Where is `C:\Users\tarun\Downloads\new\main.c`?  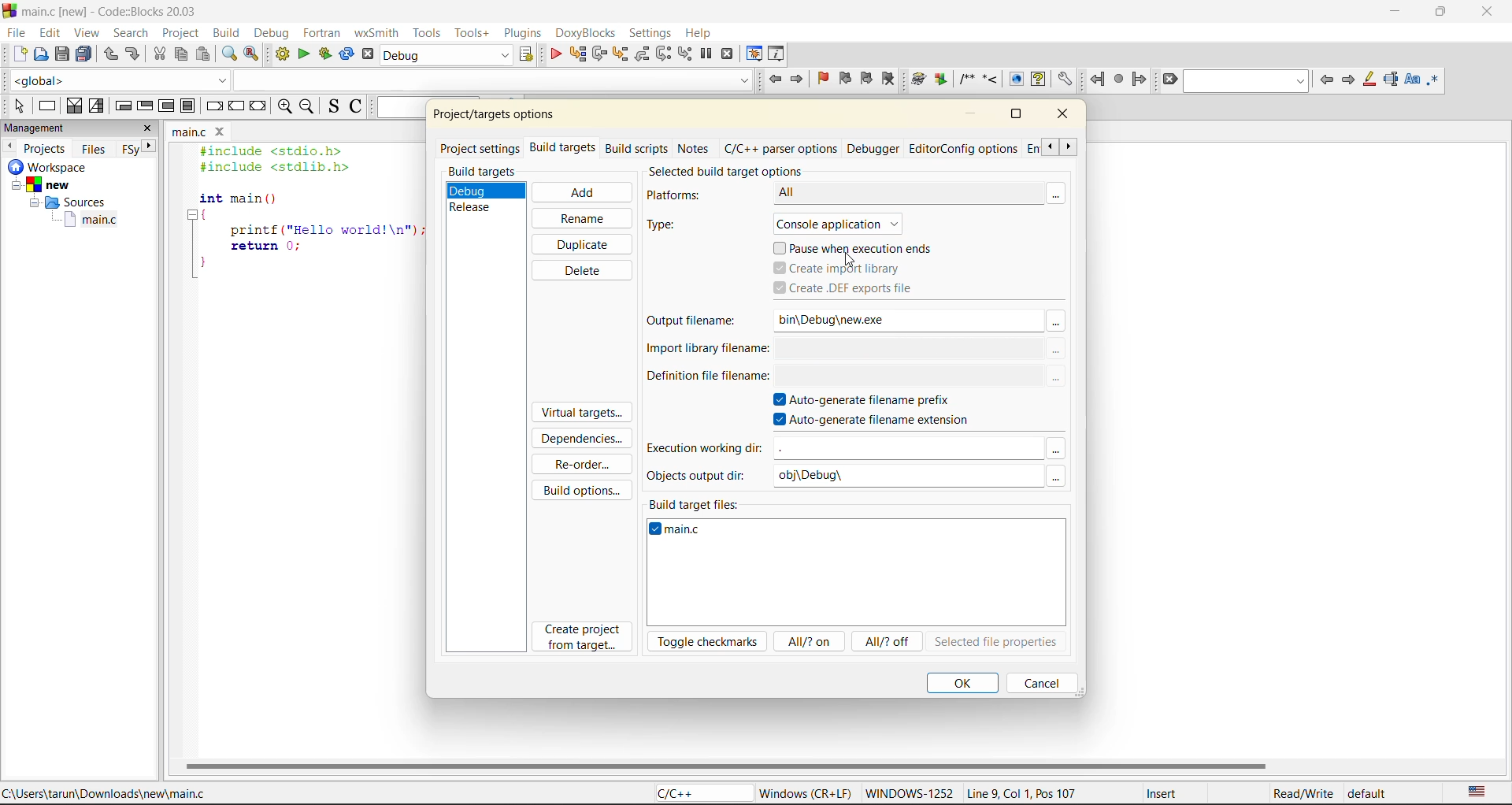
C:\Users\tarun\Downloads\new\main.c is located at coordinates (110, 793).